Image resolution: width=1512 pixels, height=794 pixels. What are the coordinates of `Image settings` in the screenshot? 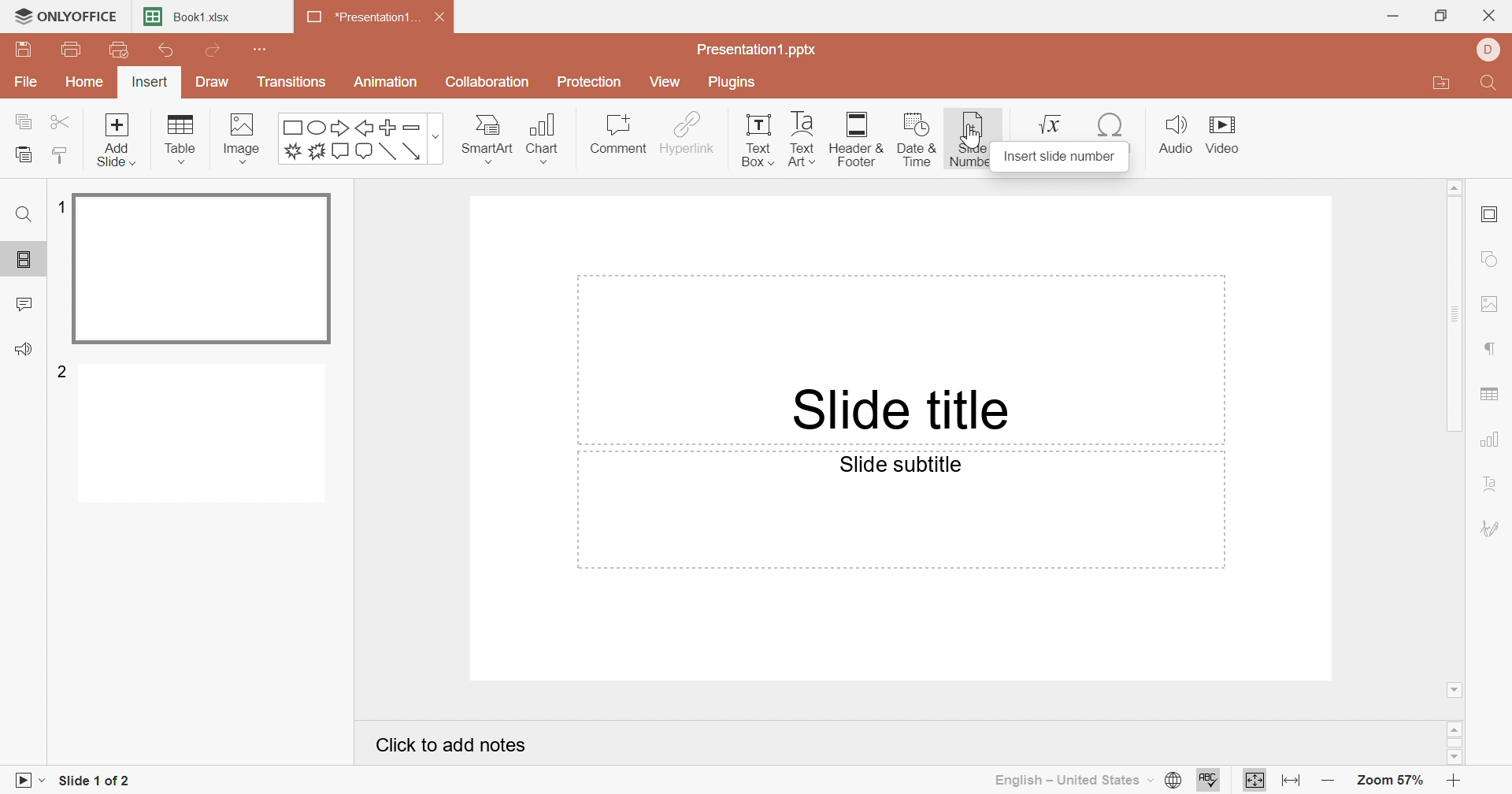 It's located at (1494, 306).